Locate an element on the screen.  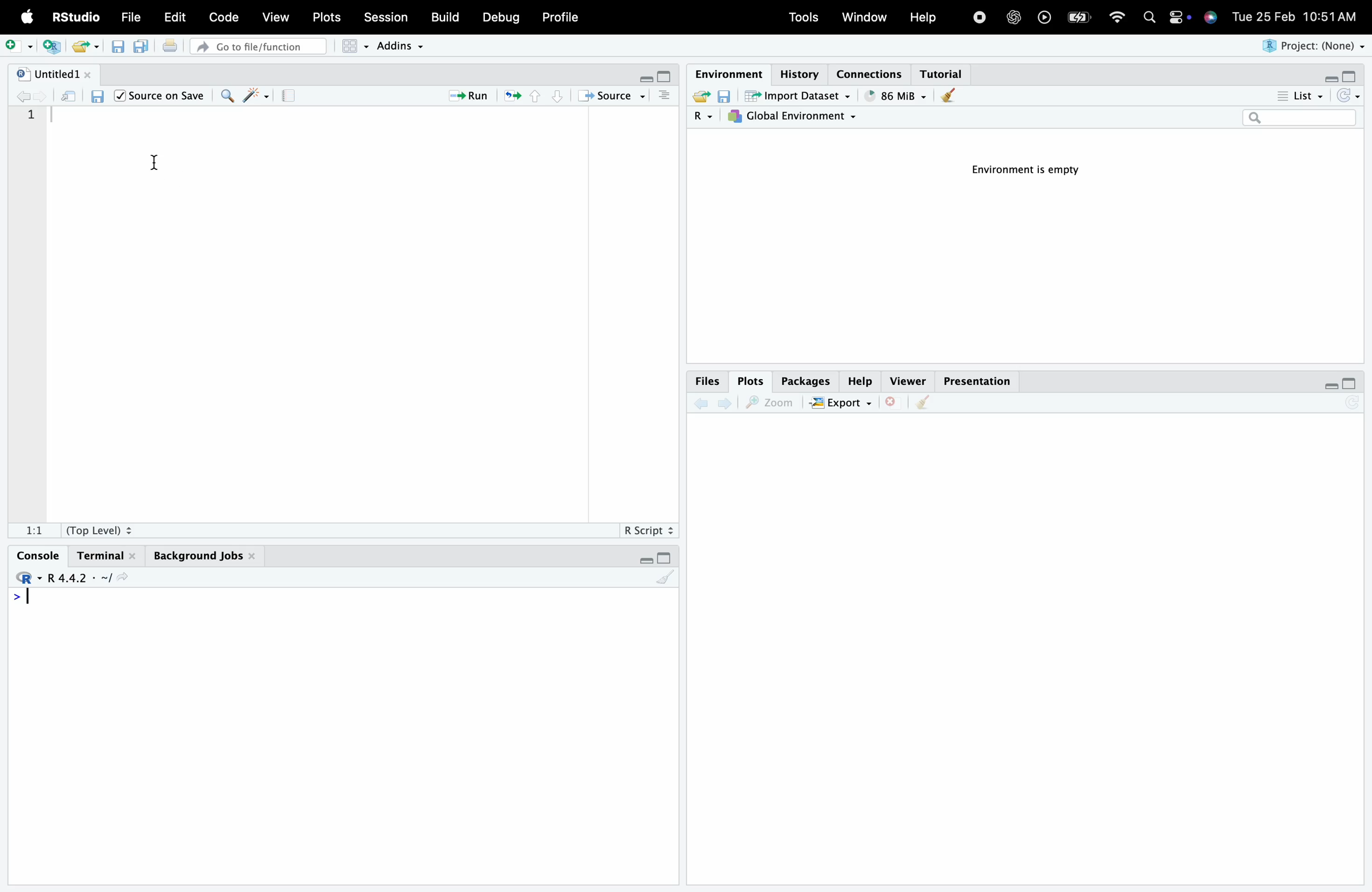
search is located at coordinates (228, 98).